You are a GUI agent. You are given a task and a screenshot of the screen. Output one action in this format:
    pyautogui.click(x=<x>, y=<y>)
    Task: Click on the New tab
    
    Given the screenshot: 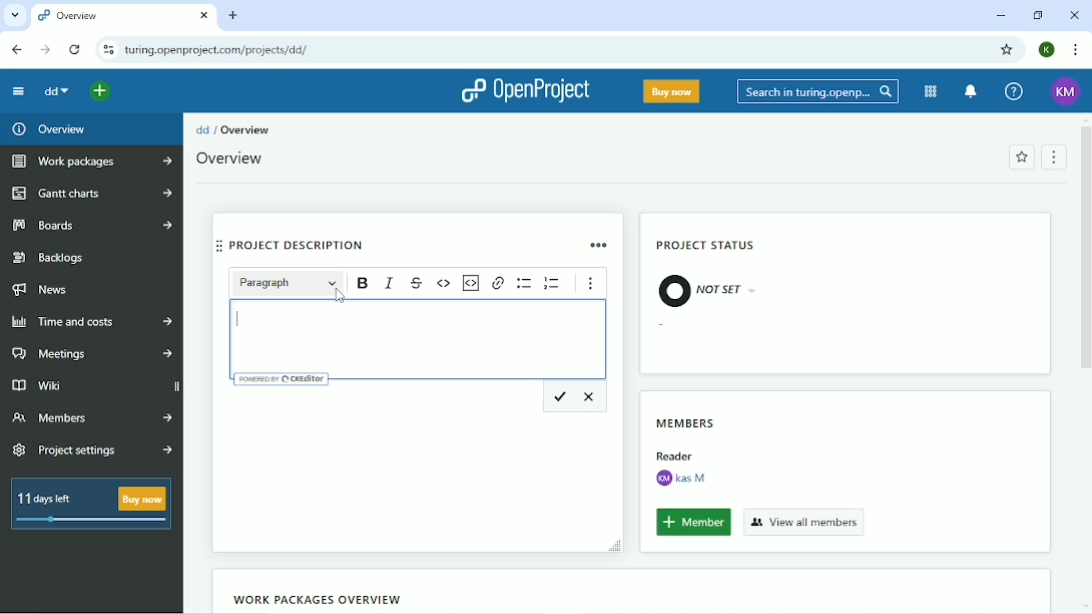 What is the action you would take?
    pyautogui.click(x=234, y=15)
    